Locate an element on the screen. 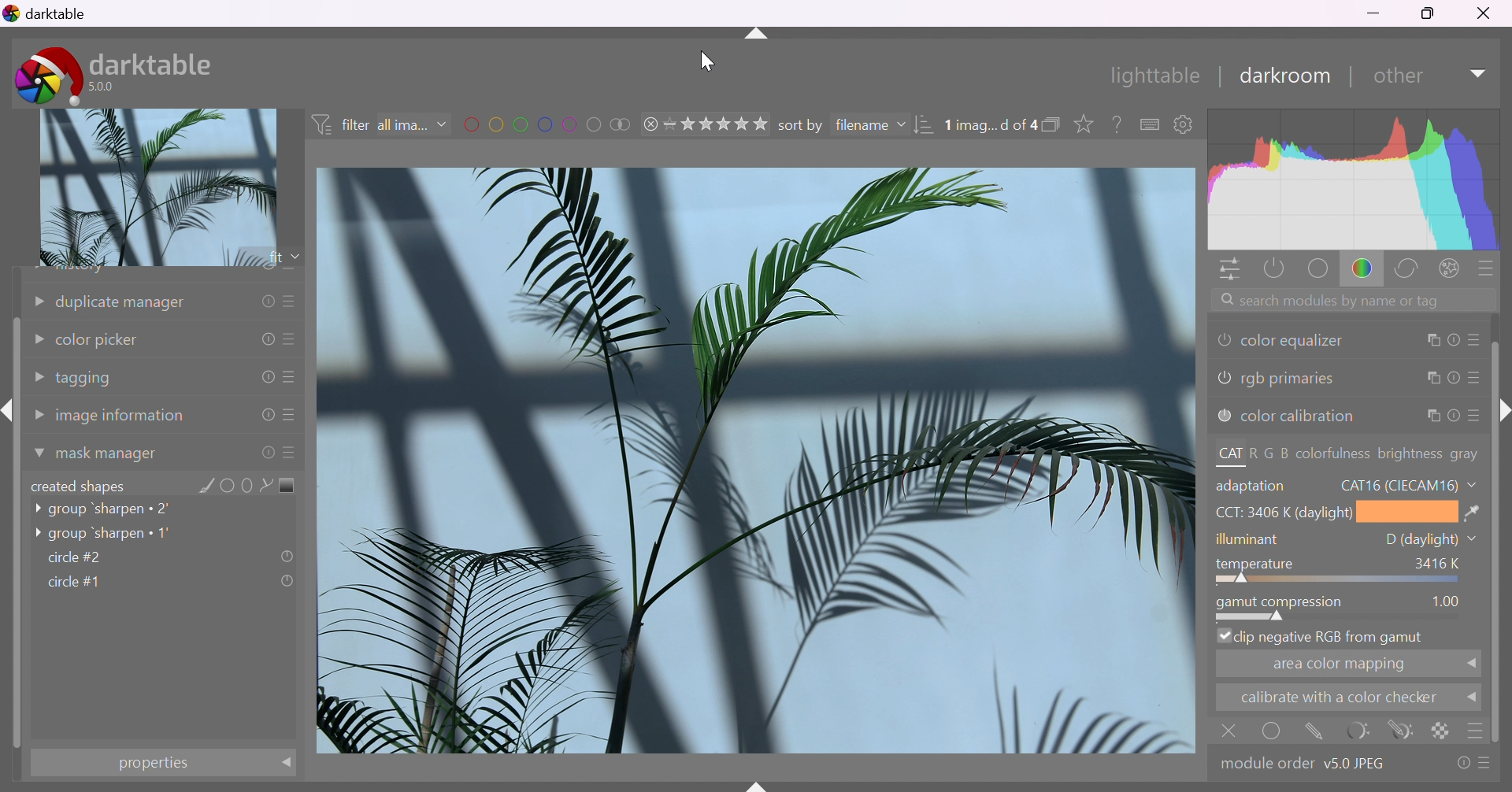  close is located at coordinates (1490, 12).